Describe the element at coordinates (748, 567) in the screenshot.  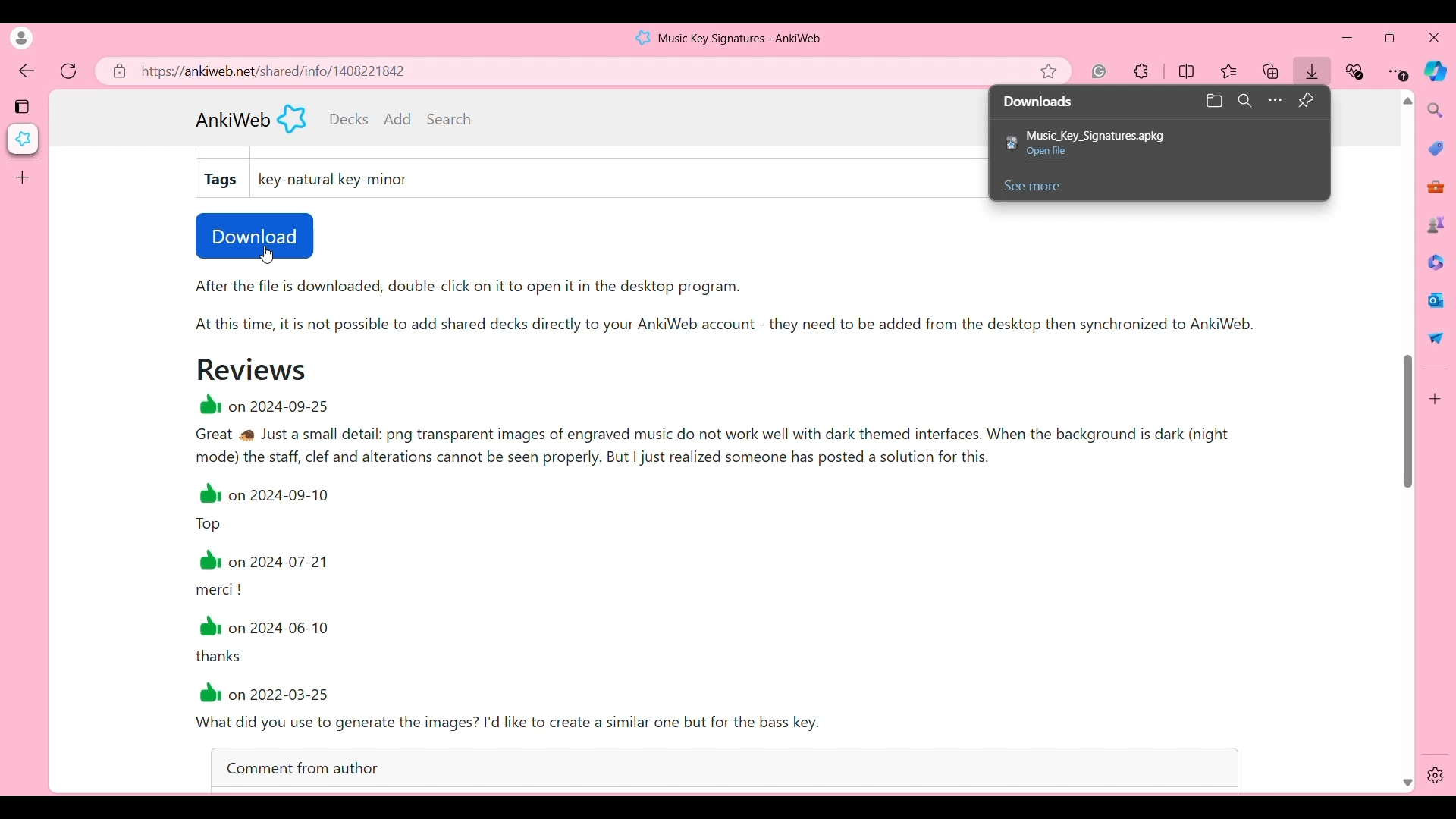
I see `@1 on 2024-09-25

Great Just a small detail: png transparent images of engraved music do not work well with dark themed interfaces. When the background is dark (night
mode) the staff, clef and alterations cannot be seen properly. But | just realized someone has posted a solution for this.
1 on 2024-09-10

Top

1 on 2024-07-21

merci !

1 on 2024-06-10

thanks

#1 on 2022-03-25

What did you use to generate the images? I'd like to create a similar one but for the bass key.` at that location.